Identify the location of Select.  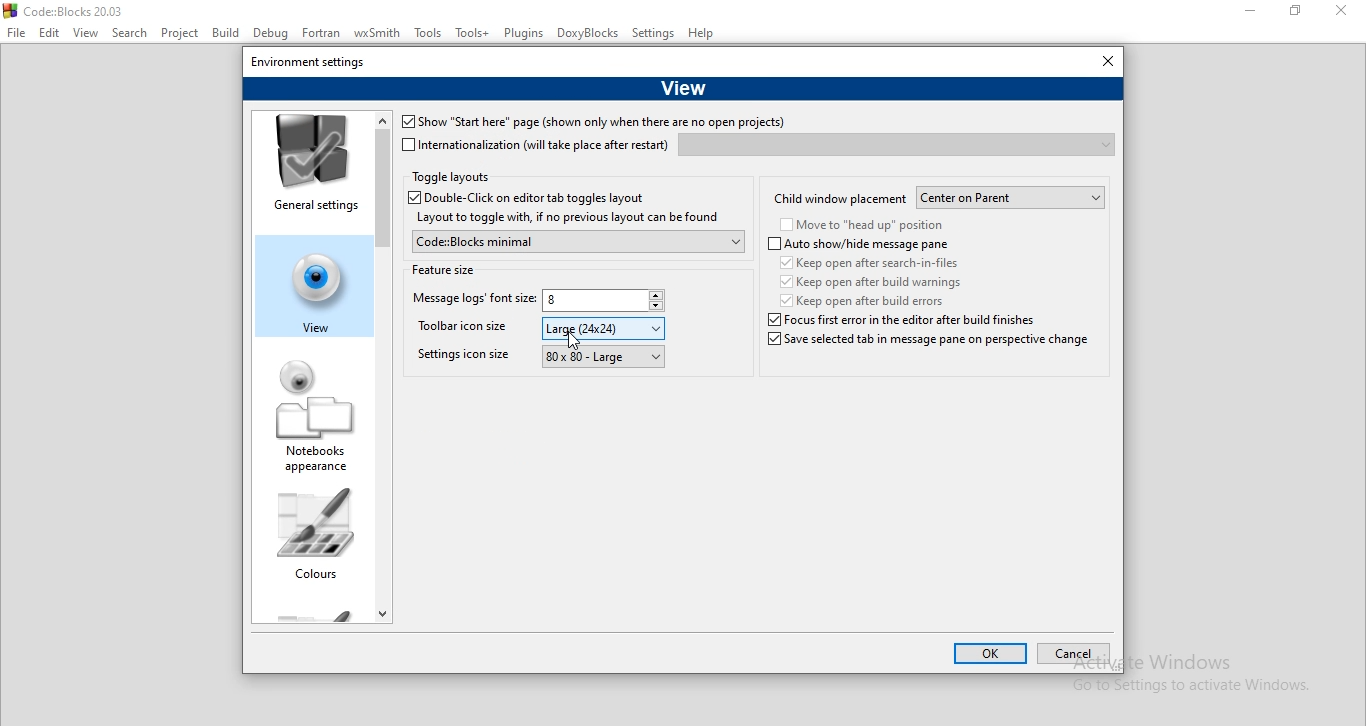
(132, 35).